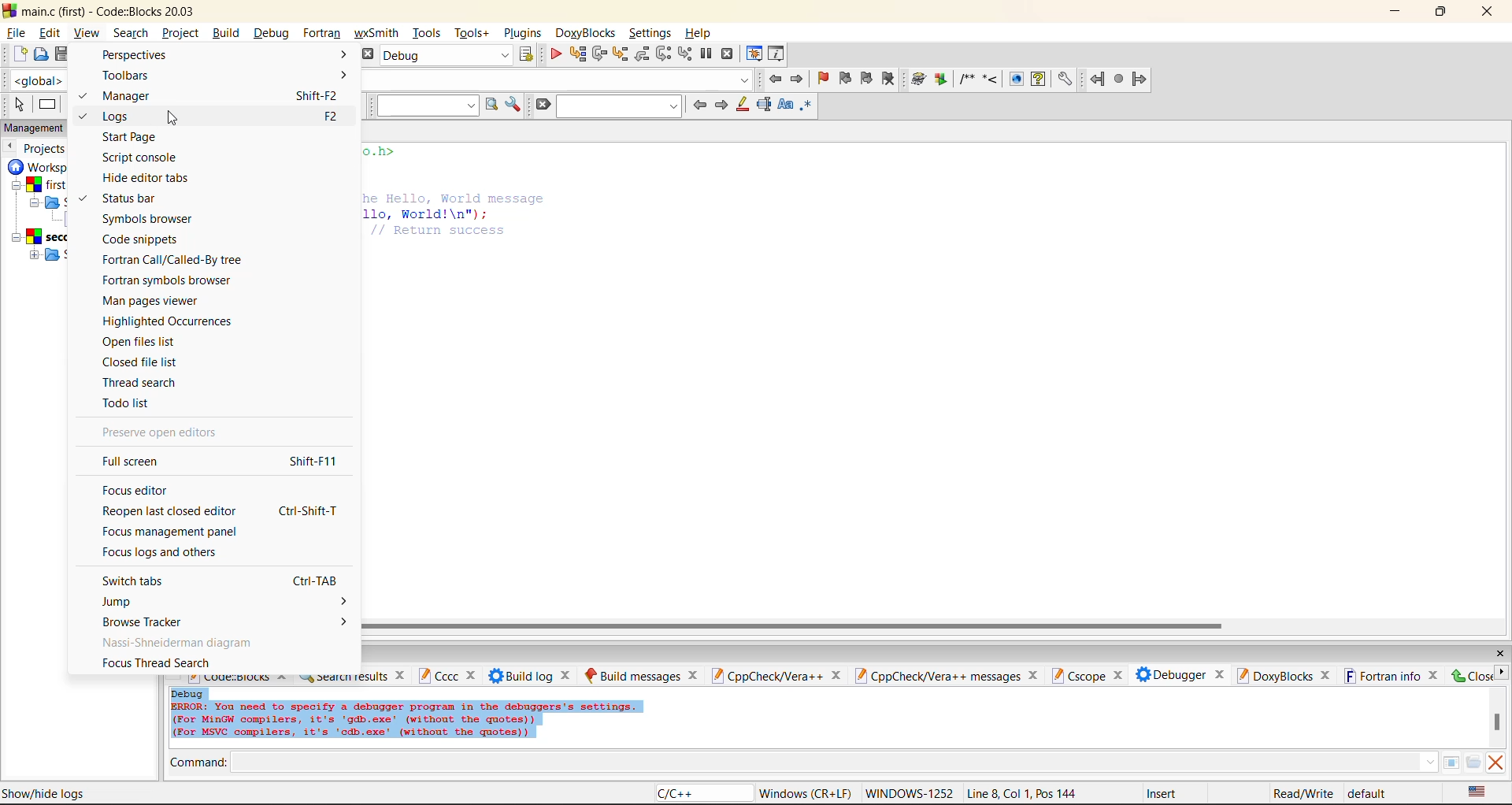 This screenshot has height=805, width=1512. Describe the element at coordinates (169, 555) in the screenshot. I see `focus logs and others` at that location.